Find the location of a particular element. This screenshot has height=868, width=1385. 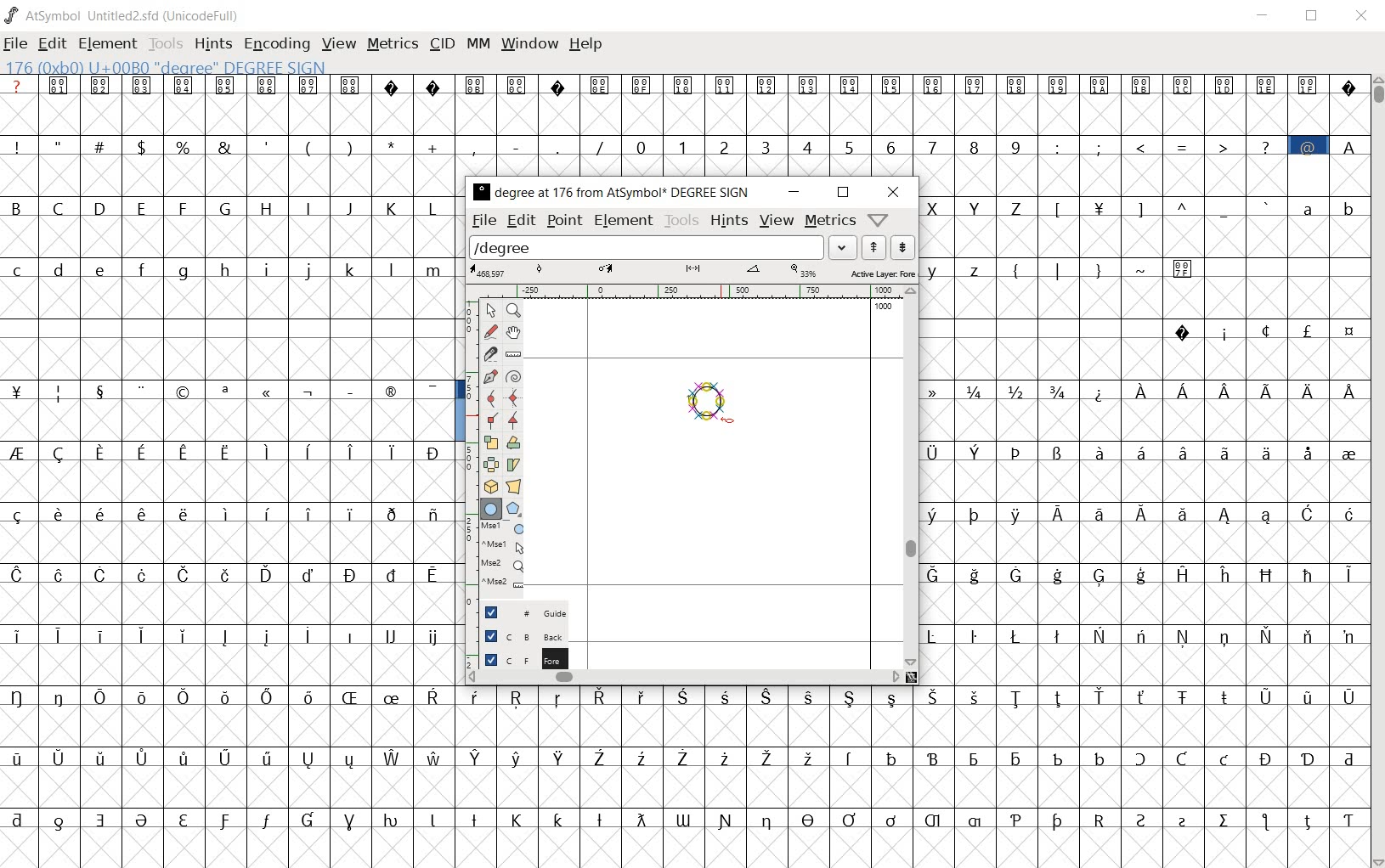

degree at 176 from AtSymbol Degree Sign is located at coordinates (610, 194).